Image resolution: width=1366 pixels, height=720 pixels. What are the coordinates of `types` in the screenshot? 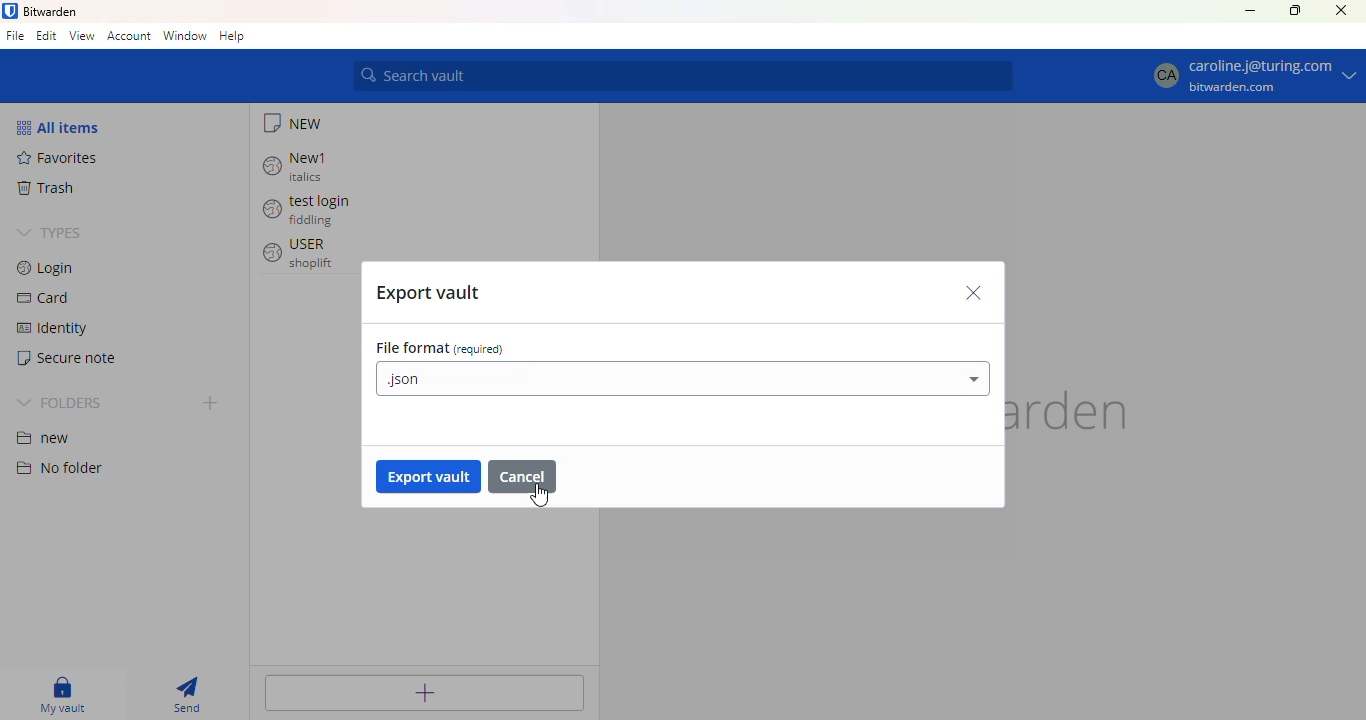 It's located at (50, 234).